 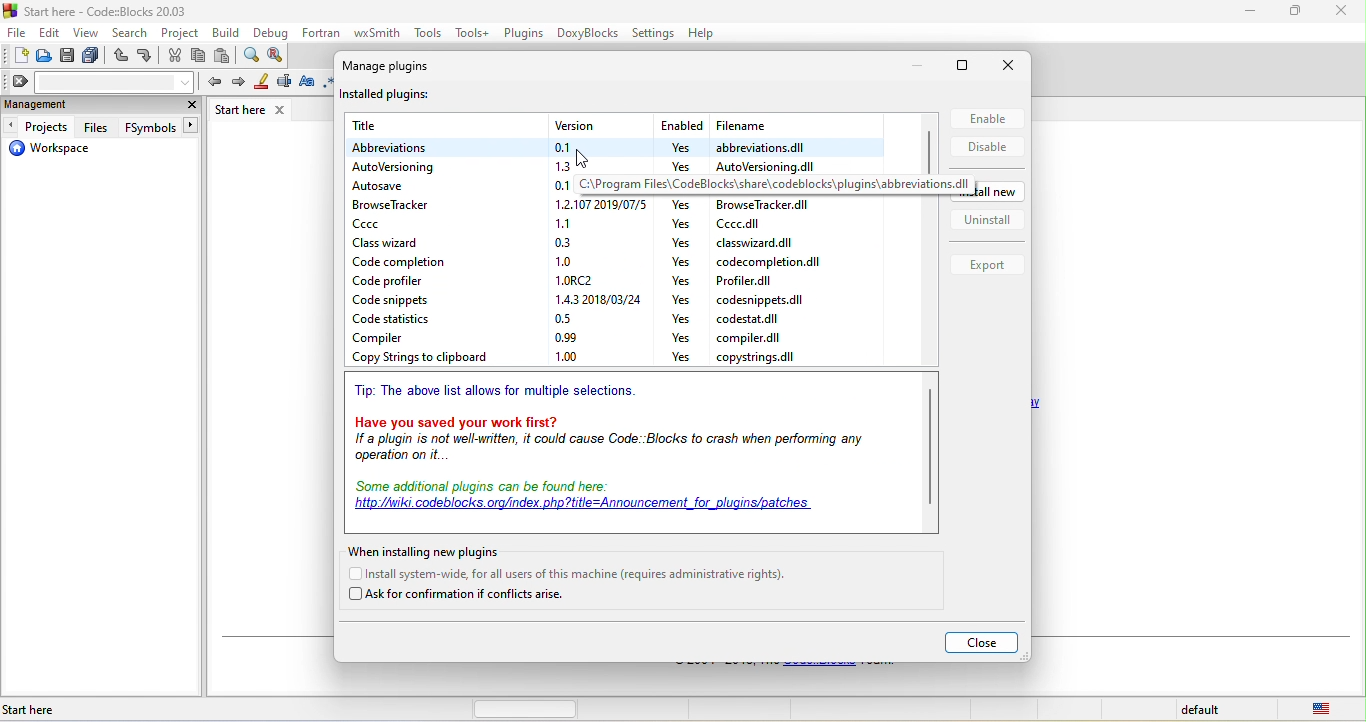 I want to click on ccc, so click(x=419, y=223).